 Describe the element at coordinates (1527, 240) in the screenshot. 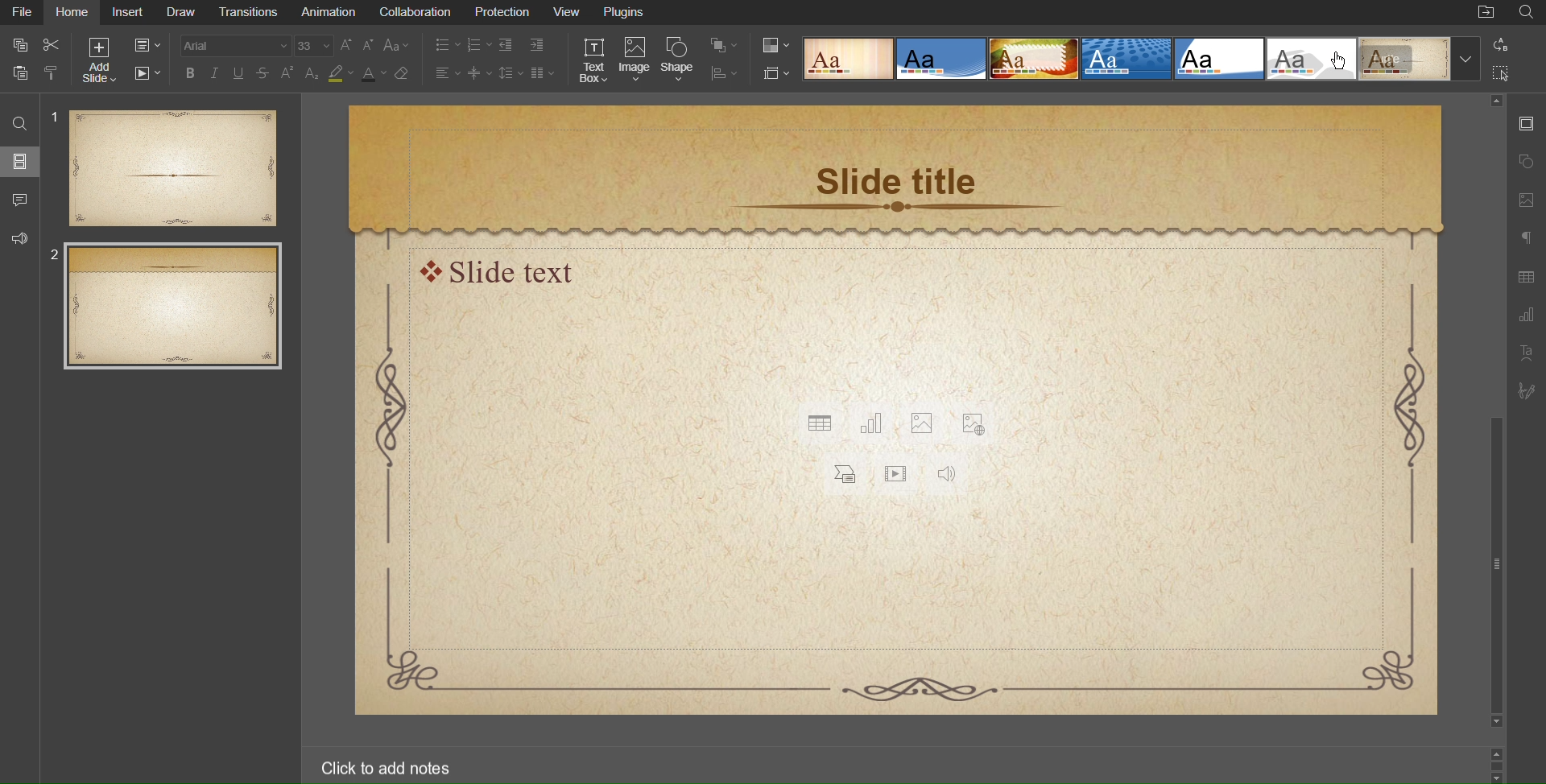

I see `Paragraph Settings` at that location.